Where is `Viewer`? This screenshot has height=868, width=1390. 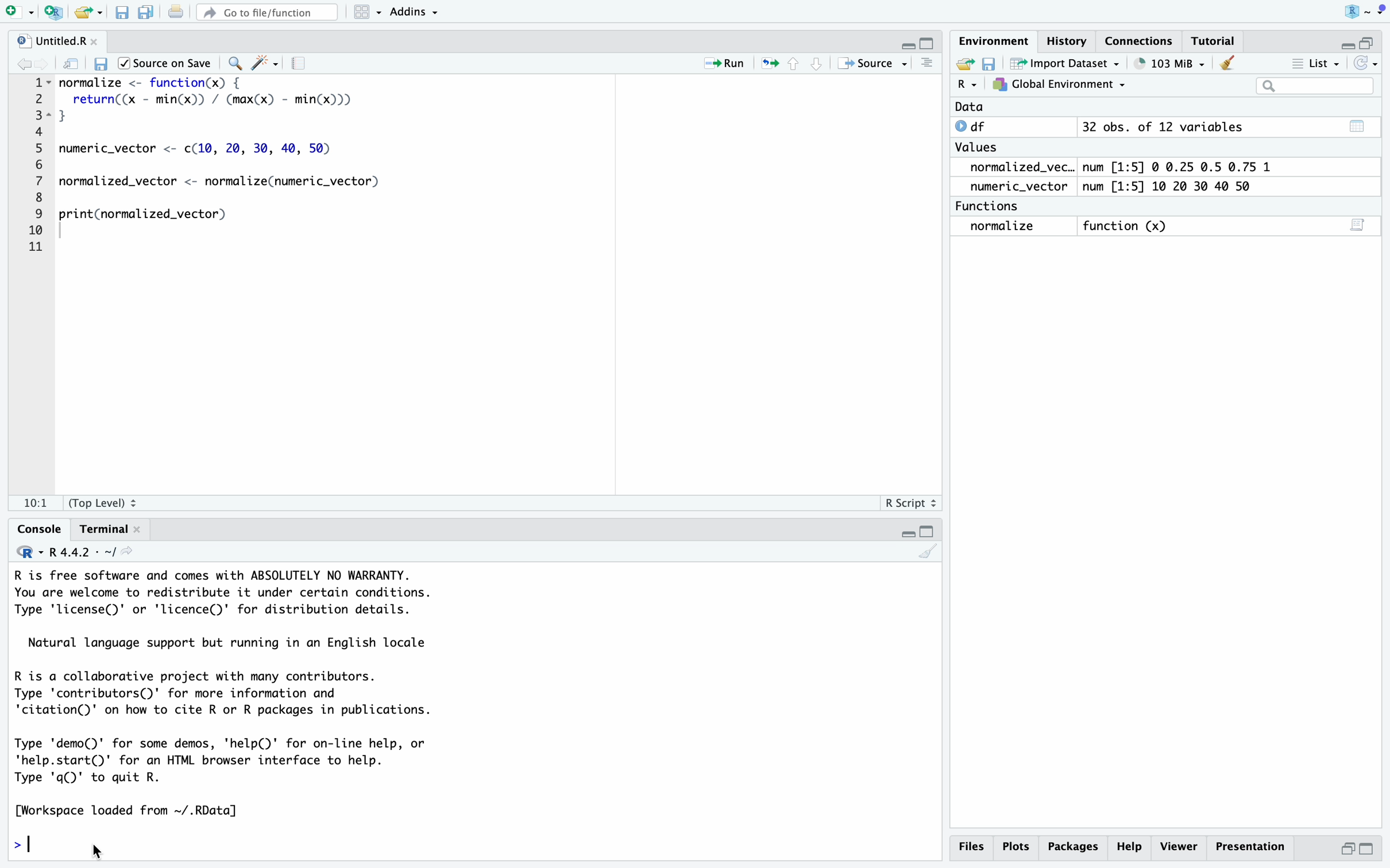
Viewer is located at coordinates (1180, 845).